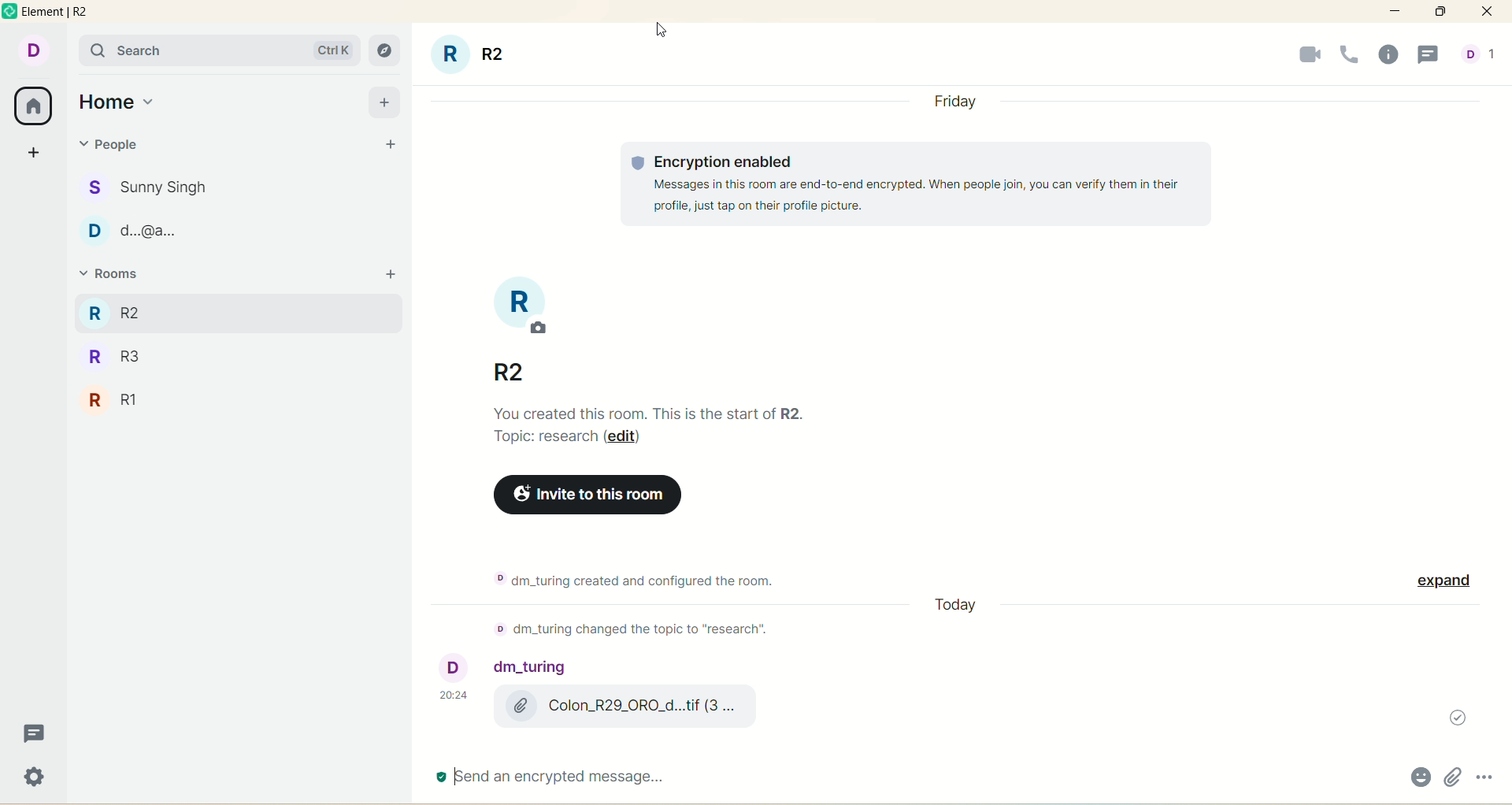 This screenshot has height=805, width=1512. I want to click on add, so click(384, 101).